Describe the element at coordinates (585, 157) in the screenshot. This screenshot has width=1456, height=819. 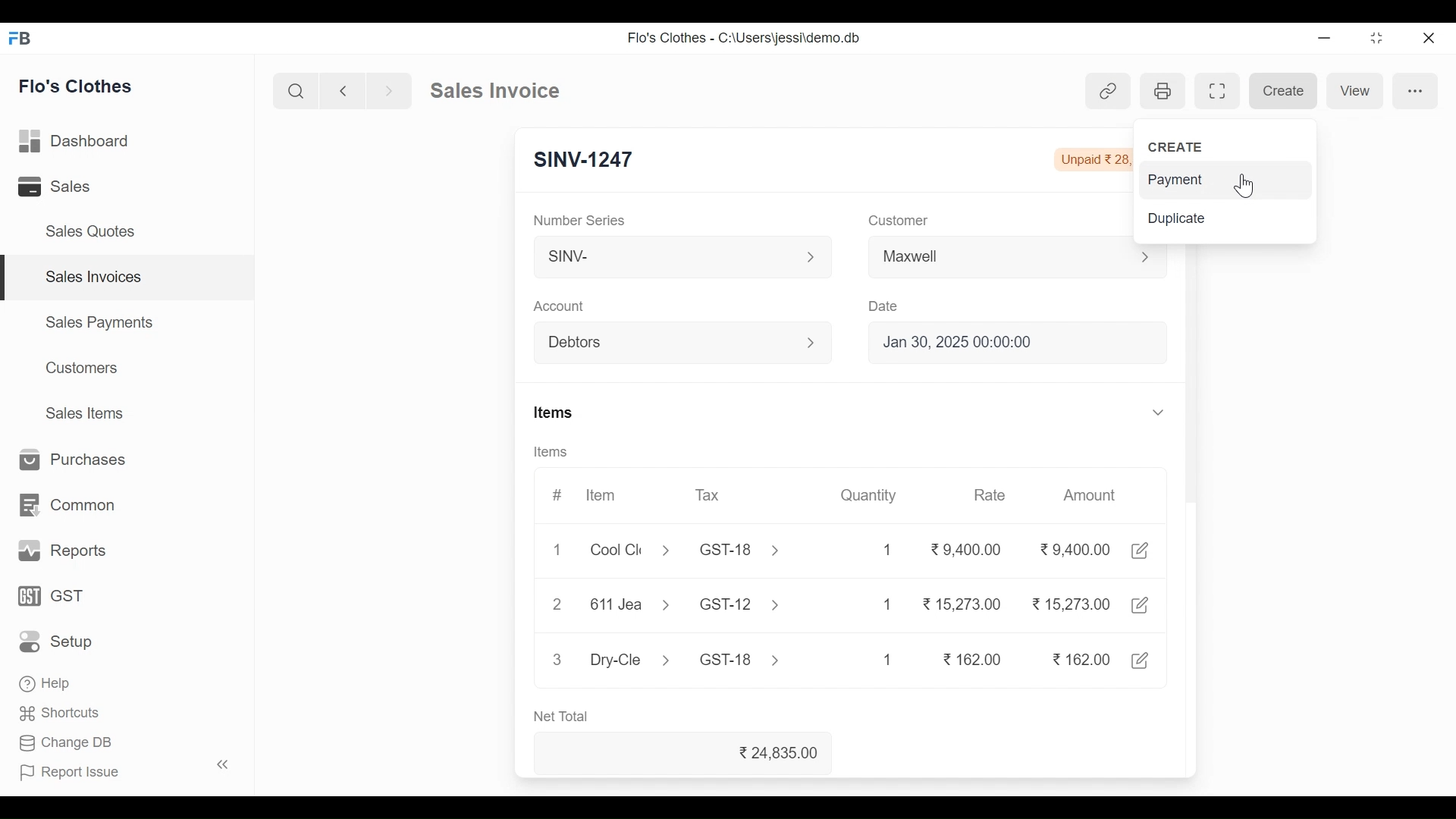
I see `SINV-1247` at that location.